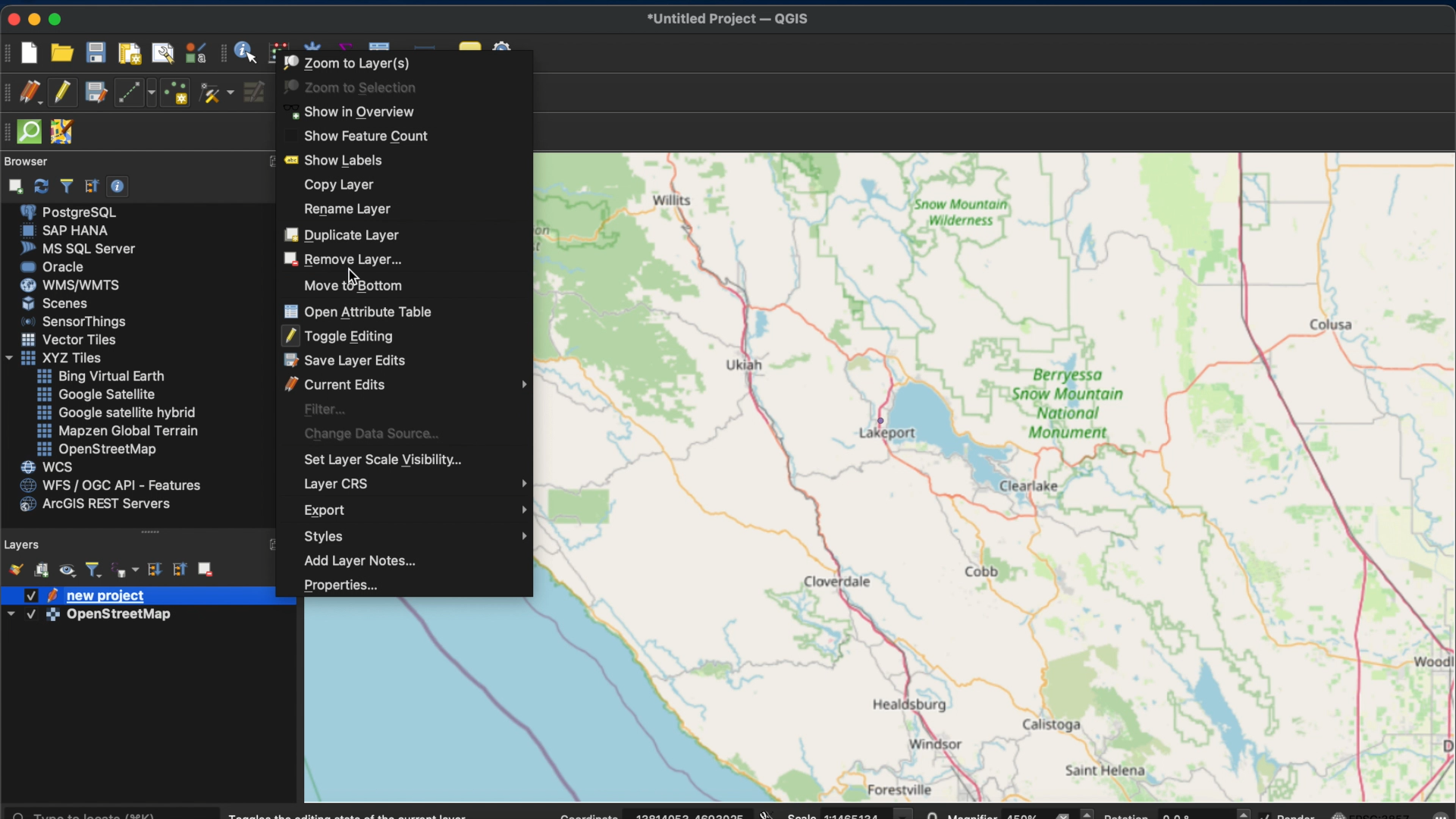 The height and width of the screenshot is (819, 1456). I want to click on add point feature, so click(177, 93).